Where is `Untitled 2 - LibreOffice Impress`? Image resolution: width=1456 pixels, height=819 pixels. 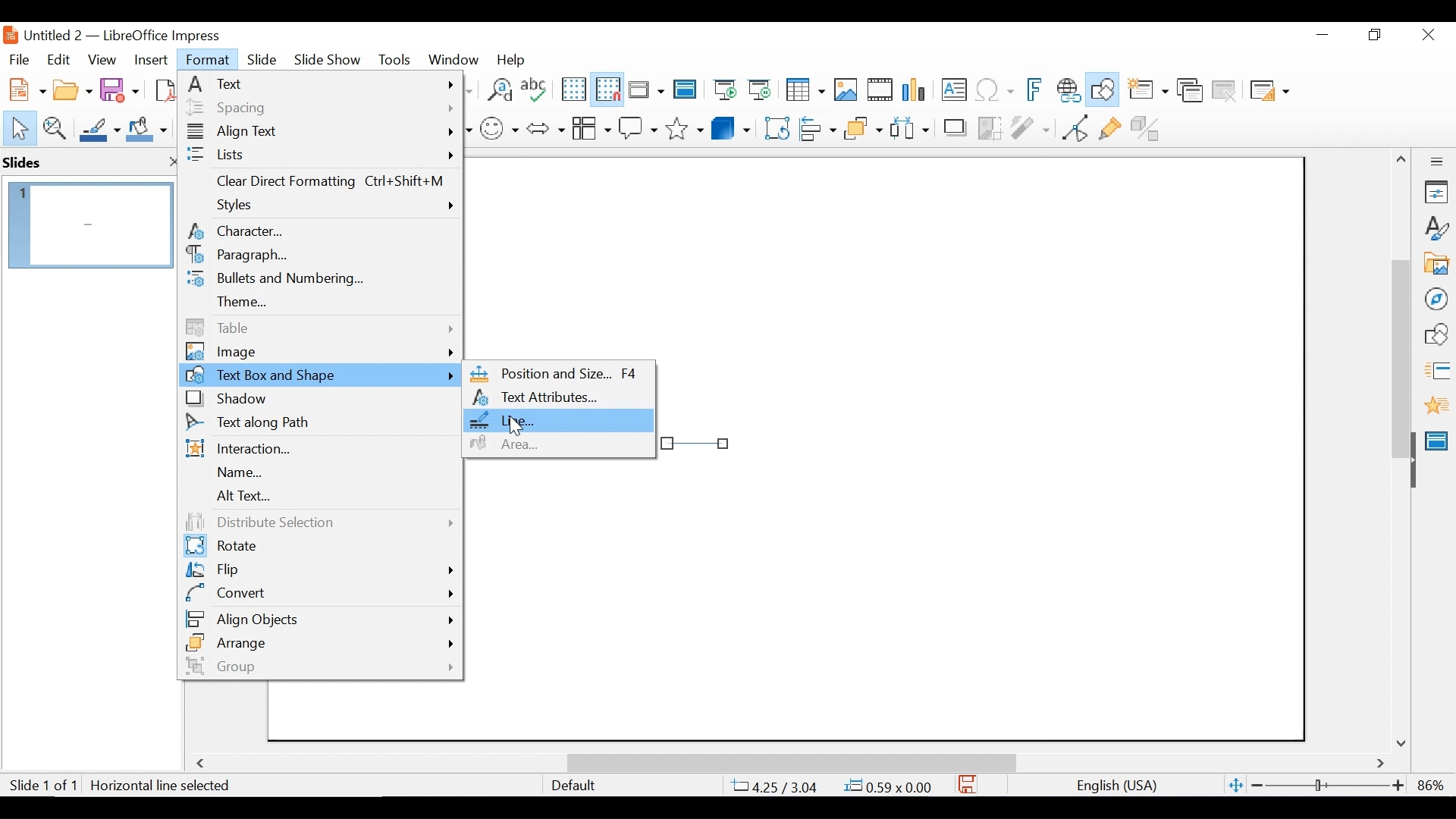
Untitled 2 - LibreOffice Impress is located at coordinates (137, 35).